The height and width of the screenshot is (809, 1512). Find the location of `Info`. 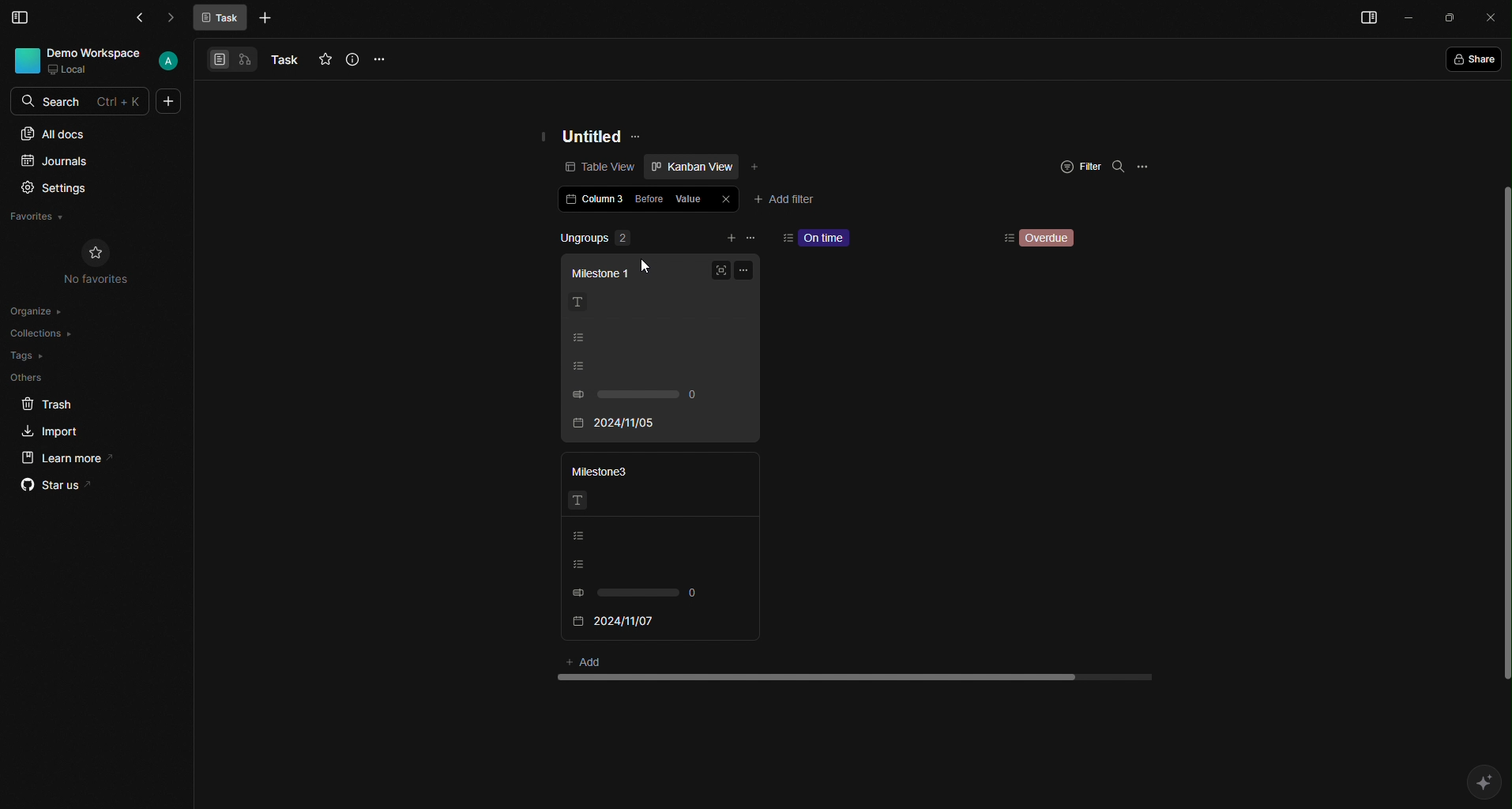

Info is located at coordinates (351, 58).